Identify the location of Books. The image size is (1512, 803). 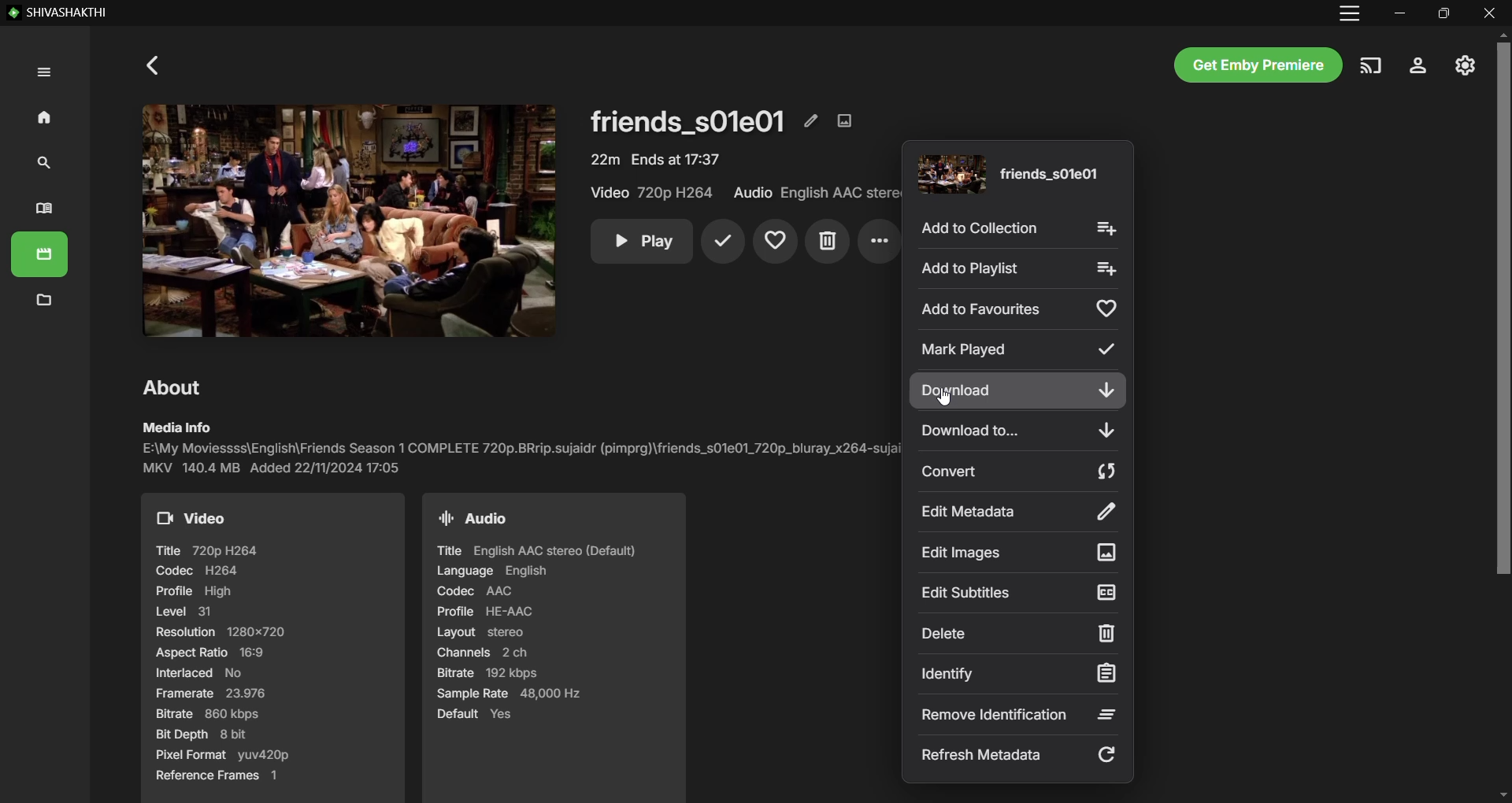
(44, 210).